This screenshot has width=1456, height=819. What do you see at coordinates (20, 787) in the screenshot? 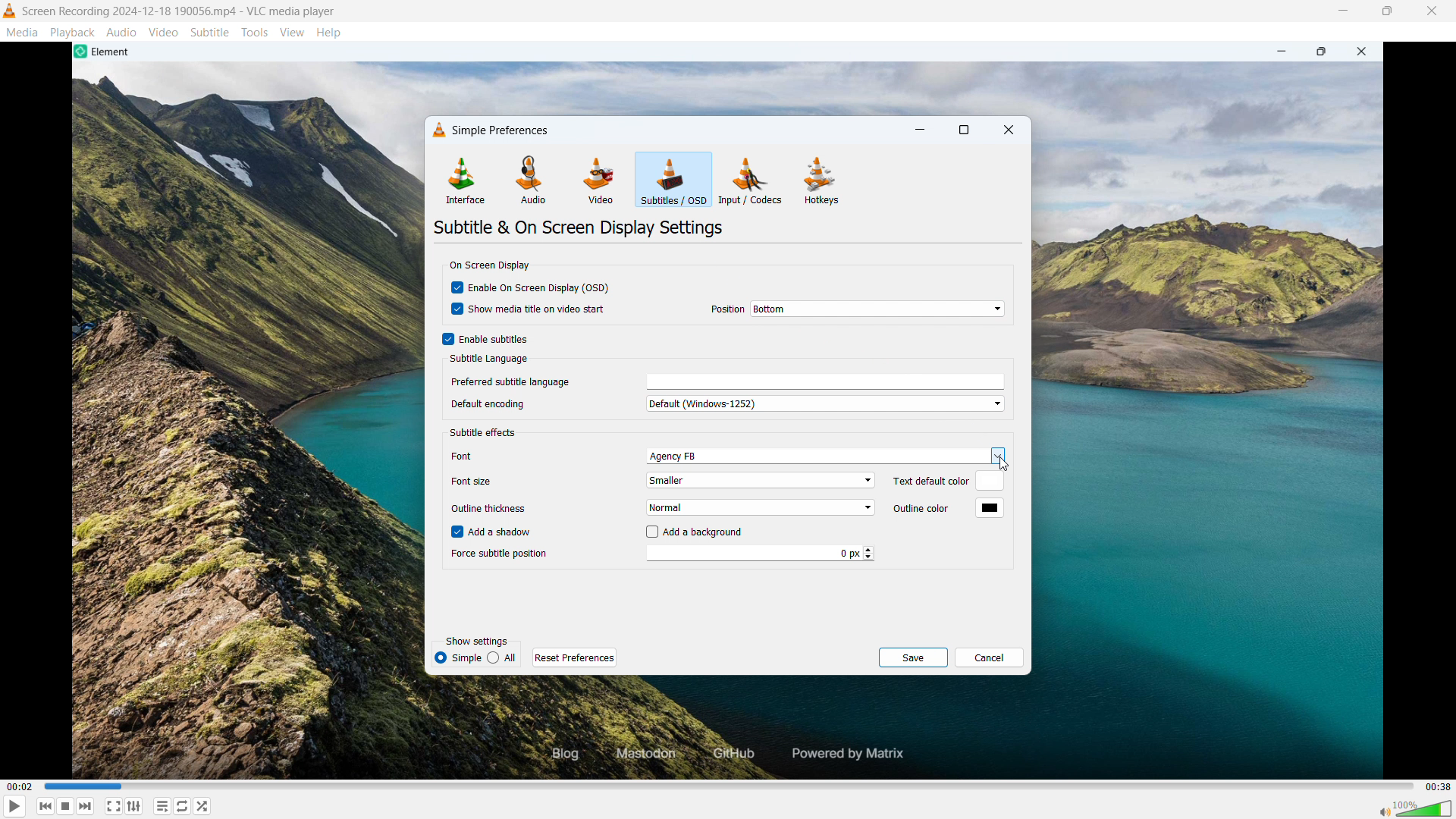
I see `time elapsed` at bounding box center [20, 787].